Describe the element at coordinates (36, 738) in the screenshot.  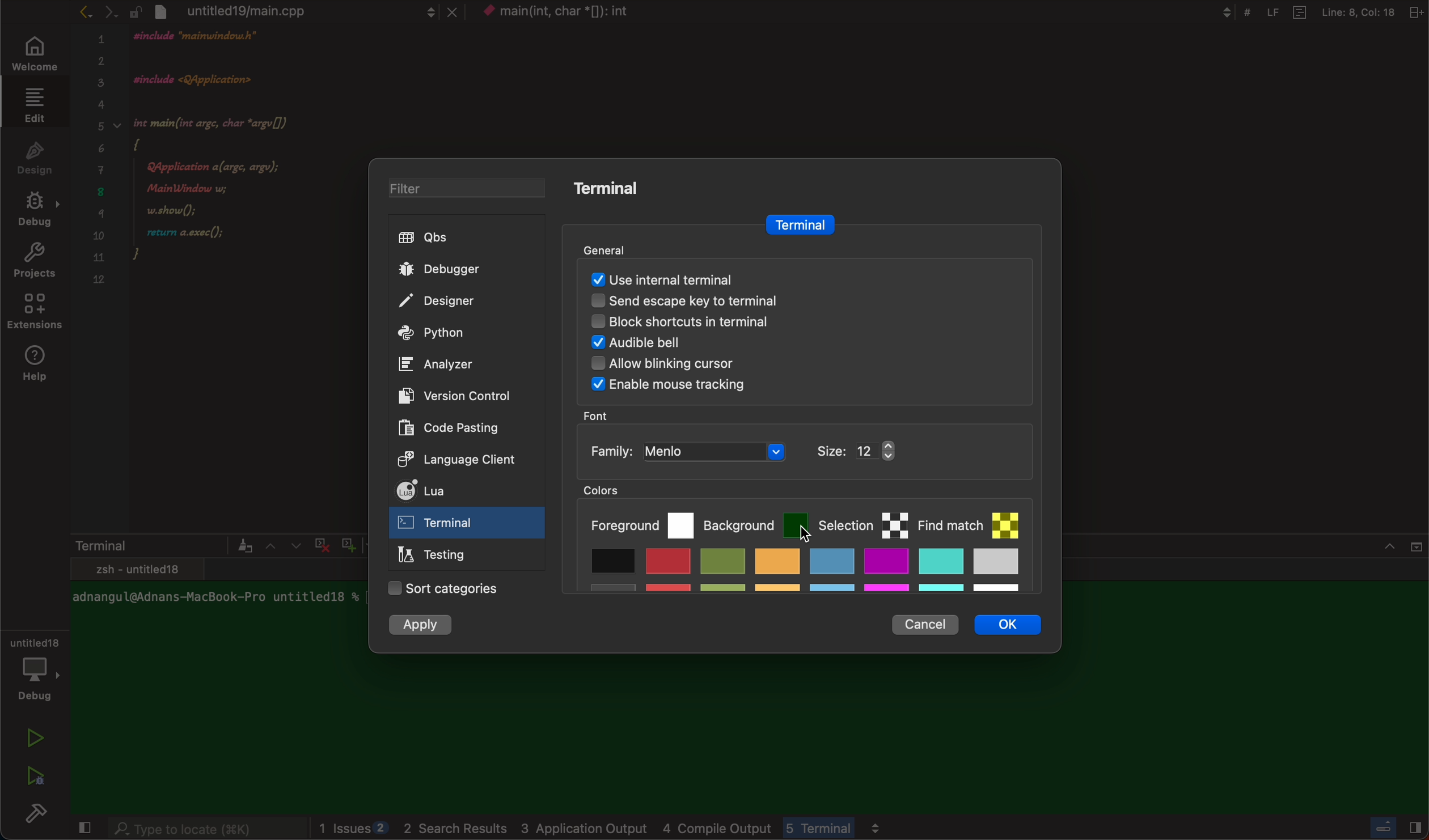
I see `run` at that location.